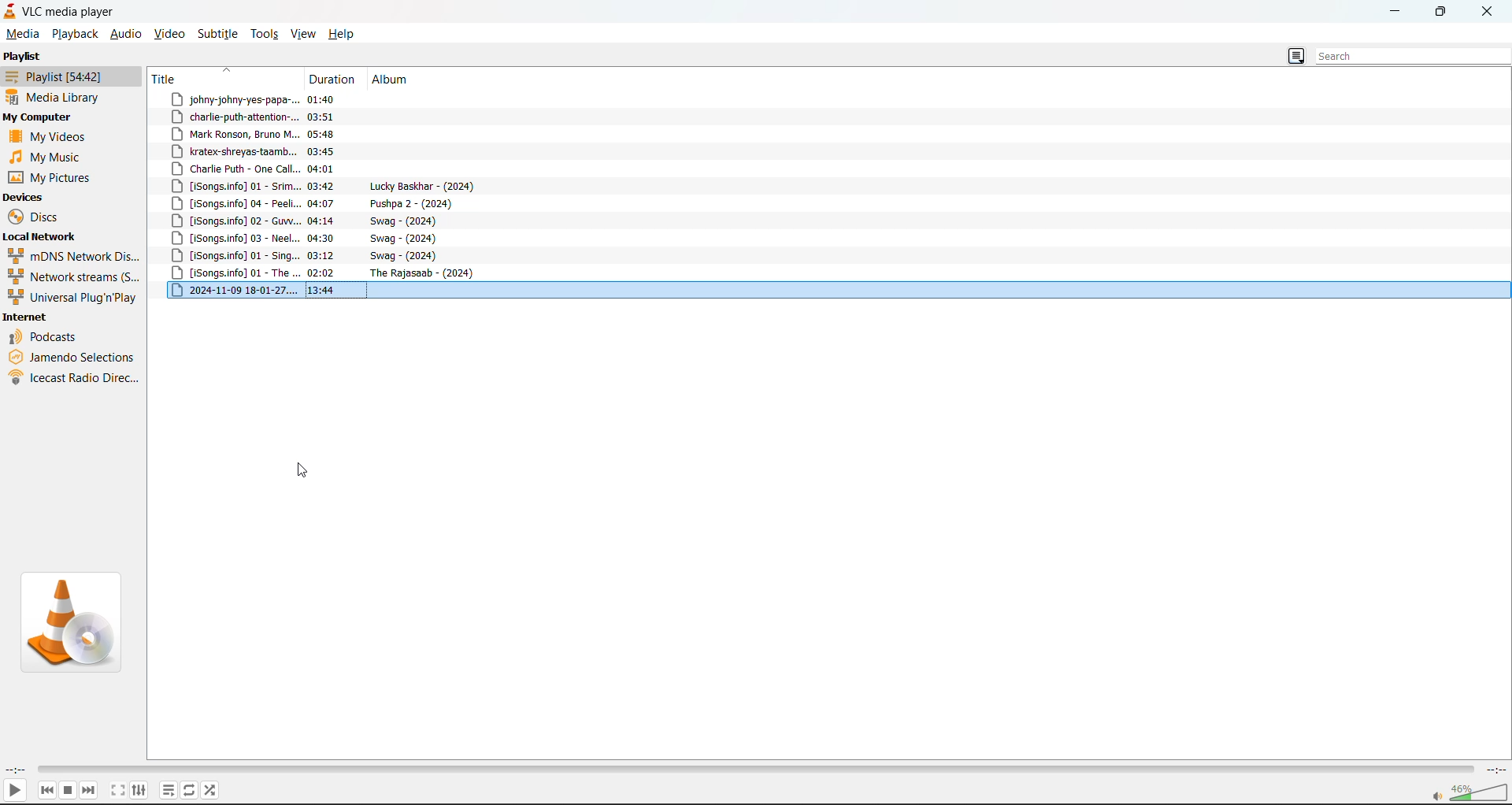  What do you see at coordinates (23, 34) in the screenshot?
I see `media` at bounding box center [23, 34].